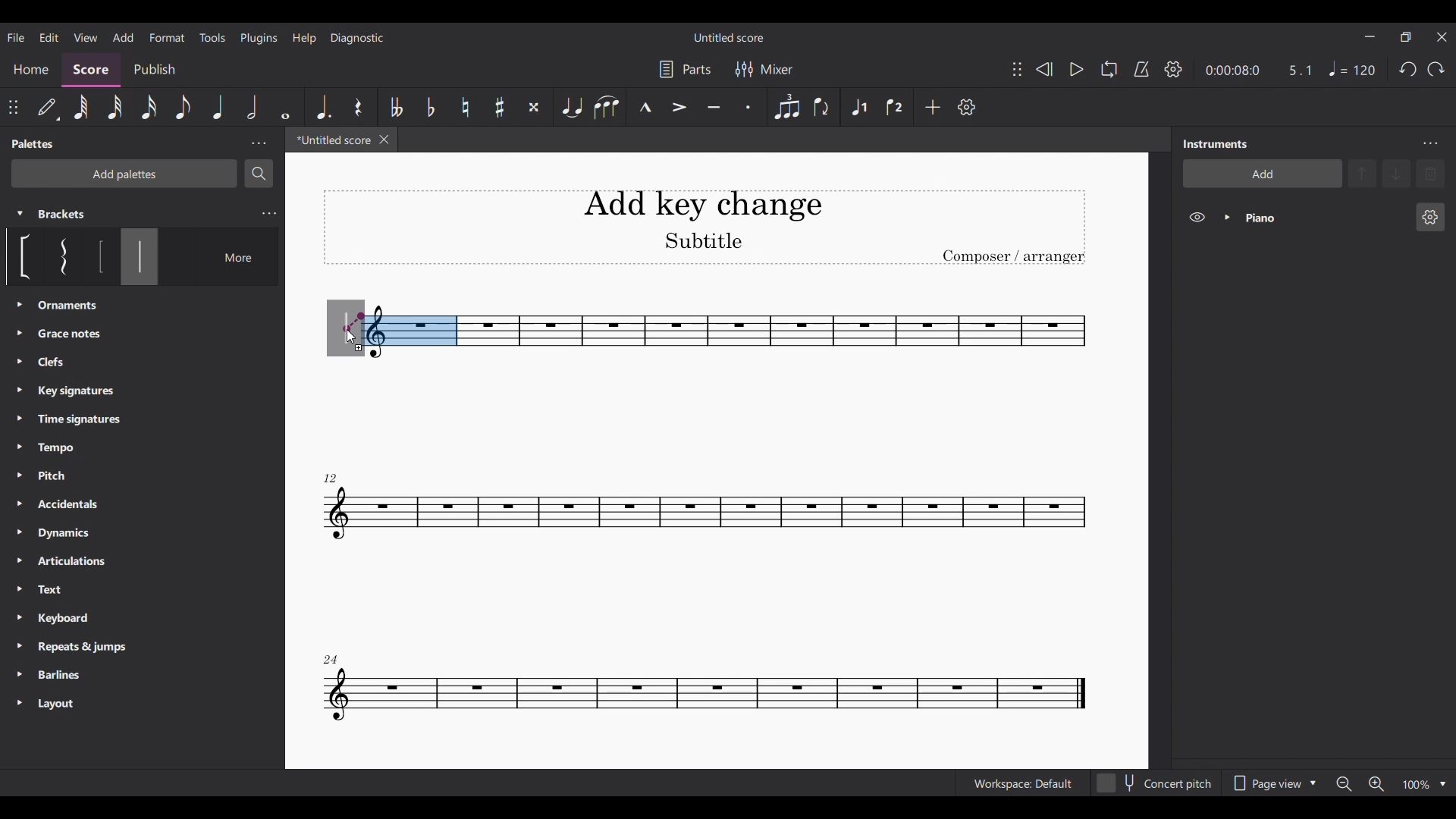 This screenshot has width=1456, height=819. What do you see at coordinates (893, 107) in the screenshot?
I see `Voice 2` at bounding box center [893, 107].